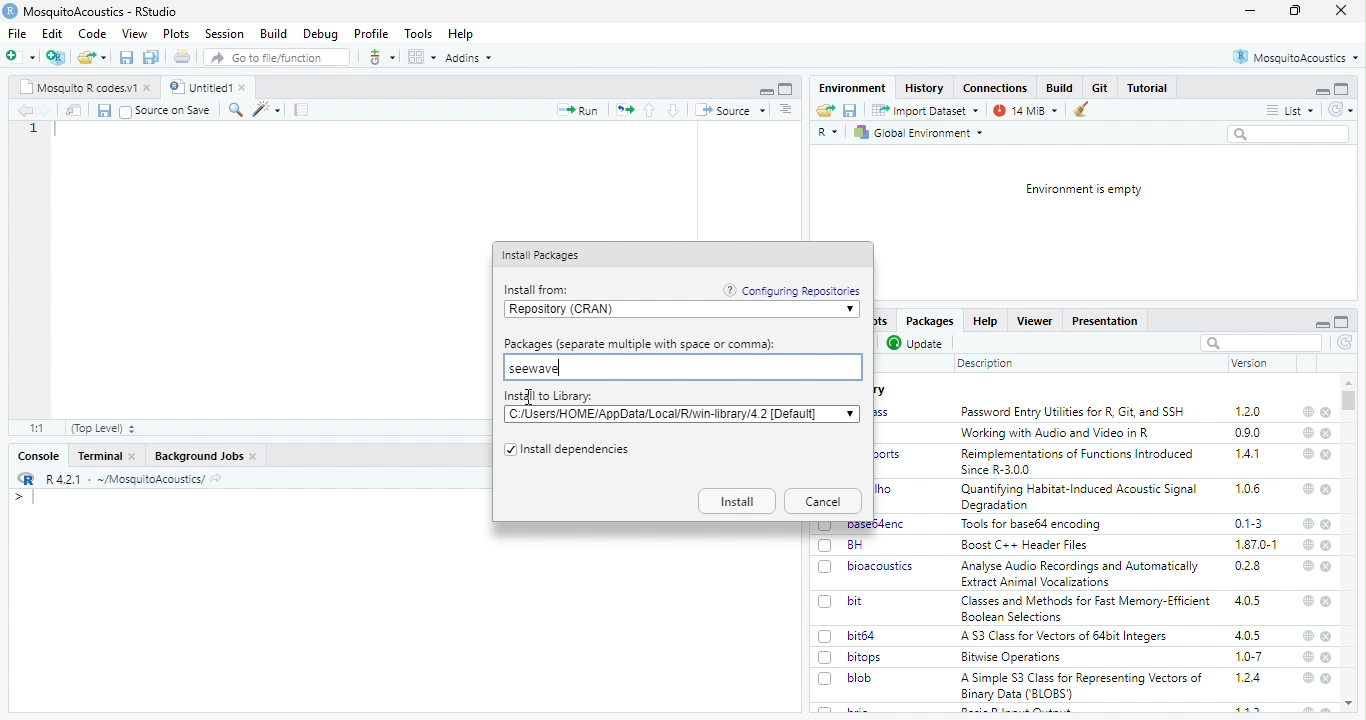  I want to click on Analyse Audio Recordings and Automatically
Extract Animal Vocalizations, so click(1082, 573).